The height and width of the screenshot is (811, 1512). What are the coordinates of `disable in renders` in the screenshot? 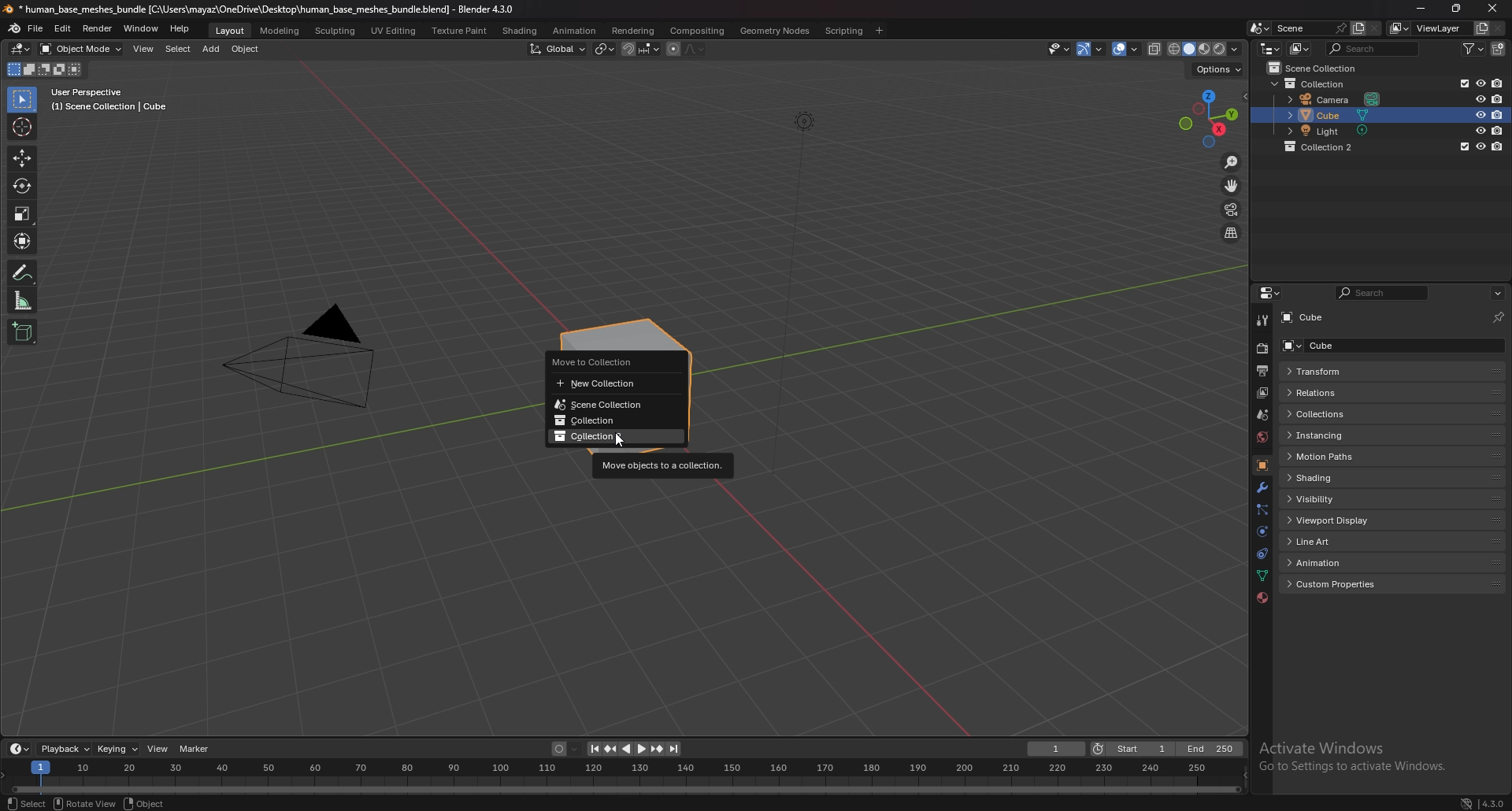 It's located at (1498, 82).